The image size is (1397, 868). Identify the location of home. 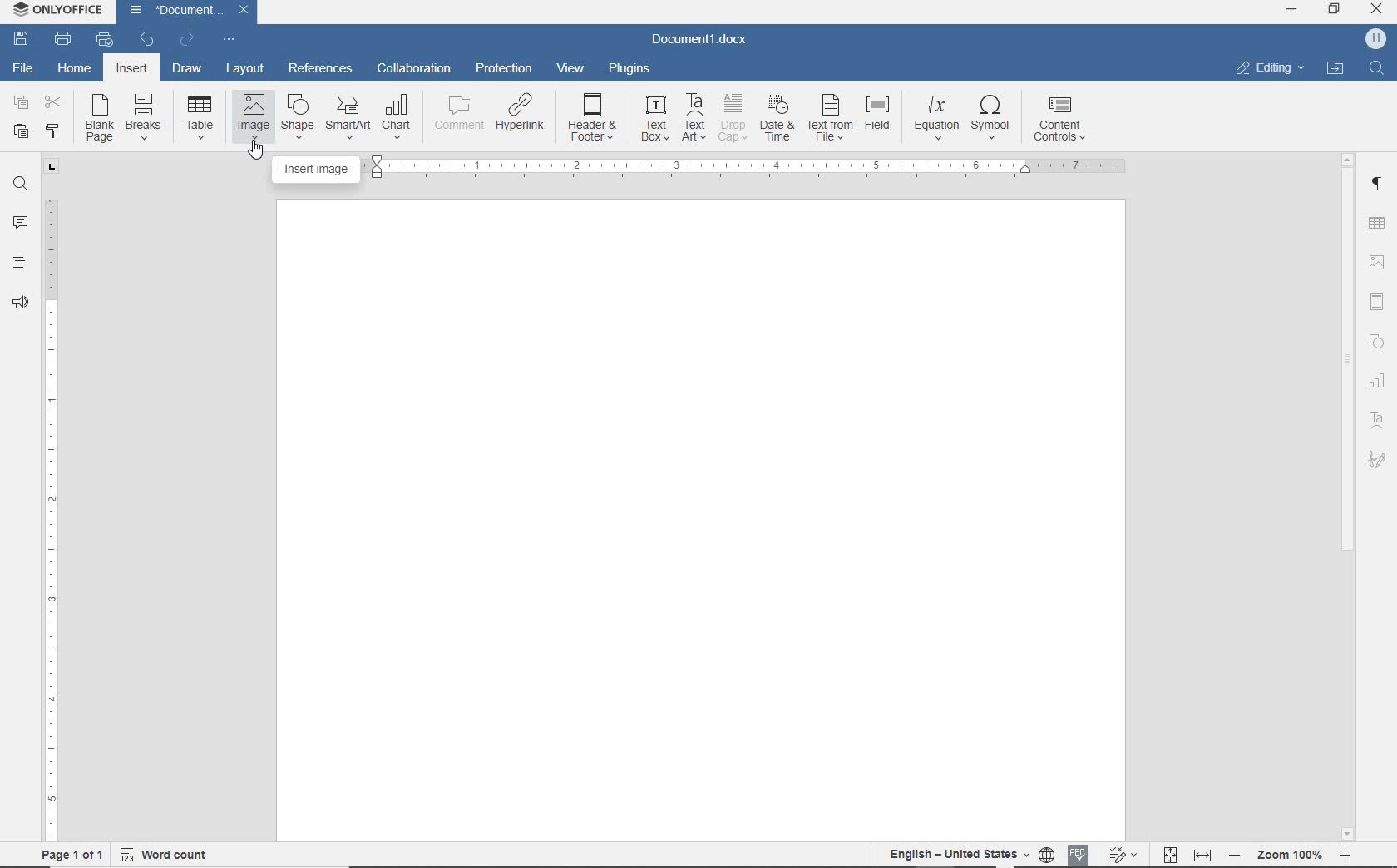
(73, 72).